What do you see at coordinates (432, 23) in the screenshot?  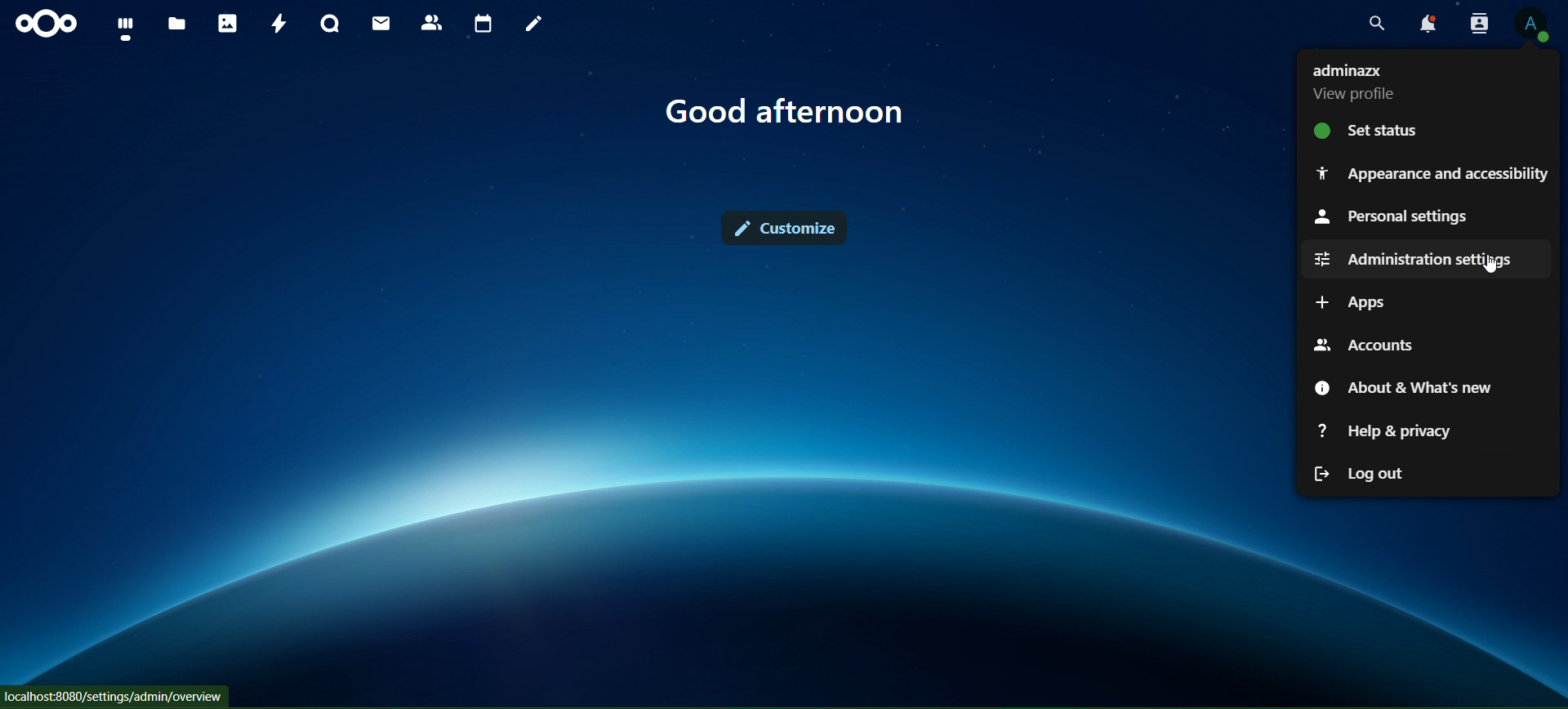 I see `contacts` at bounding box center [432, 23].